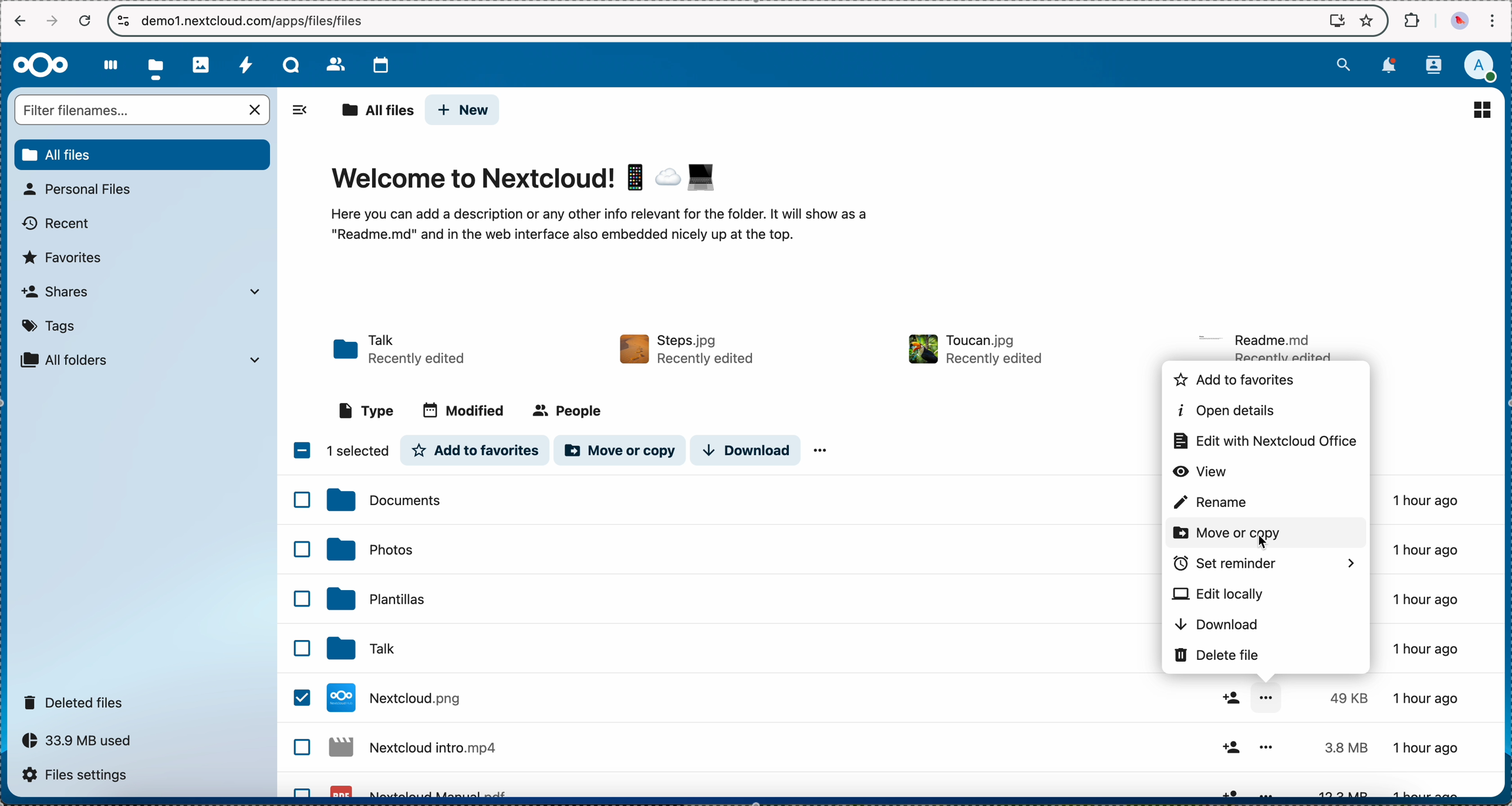  Describe the element at coordinates (1201, 471) in the screenshot. I see `view` at that location.